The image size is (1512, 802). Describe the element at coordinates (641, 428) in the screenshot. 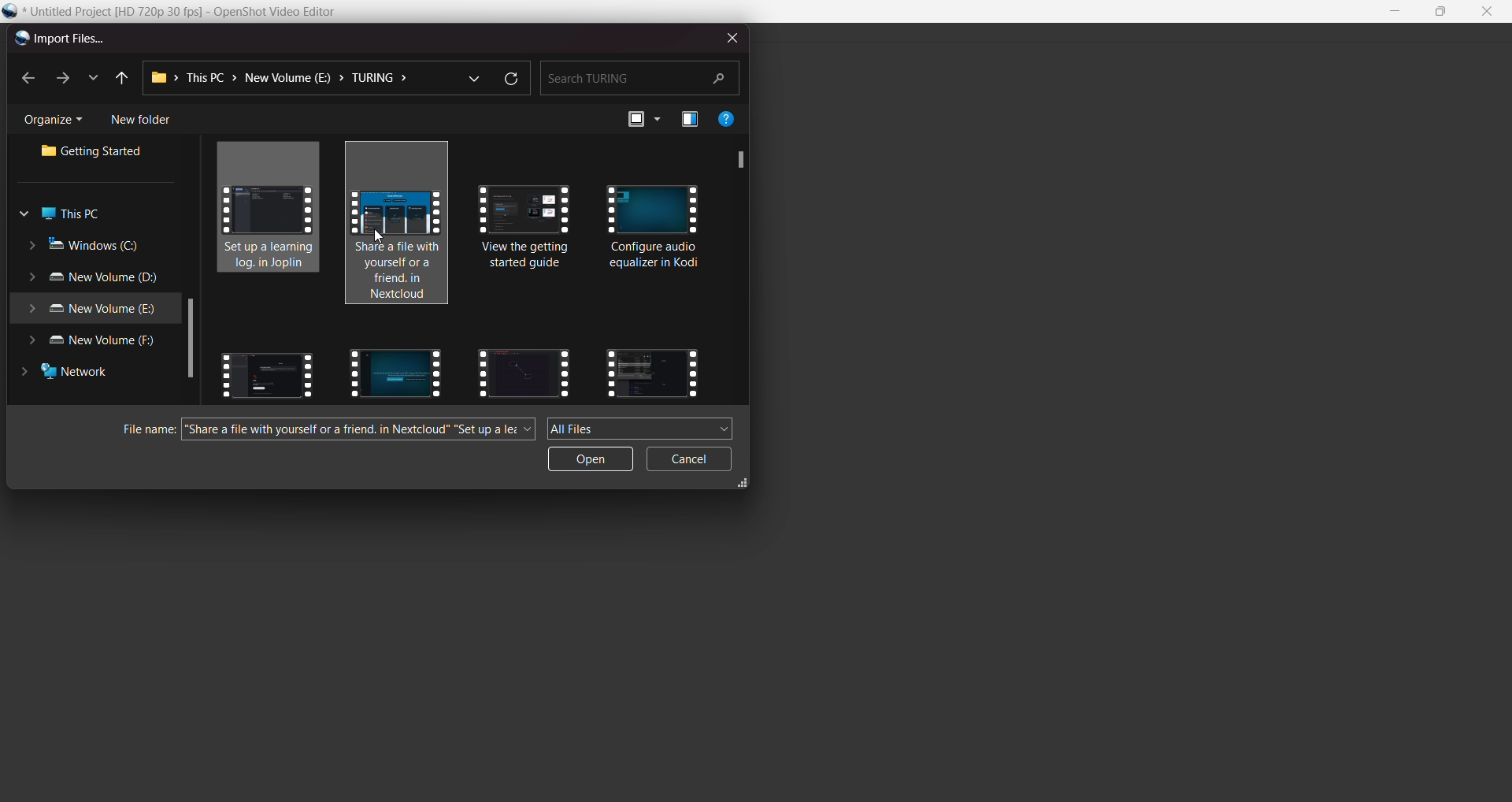

I see `all files` at that location.